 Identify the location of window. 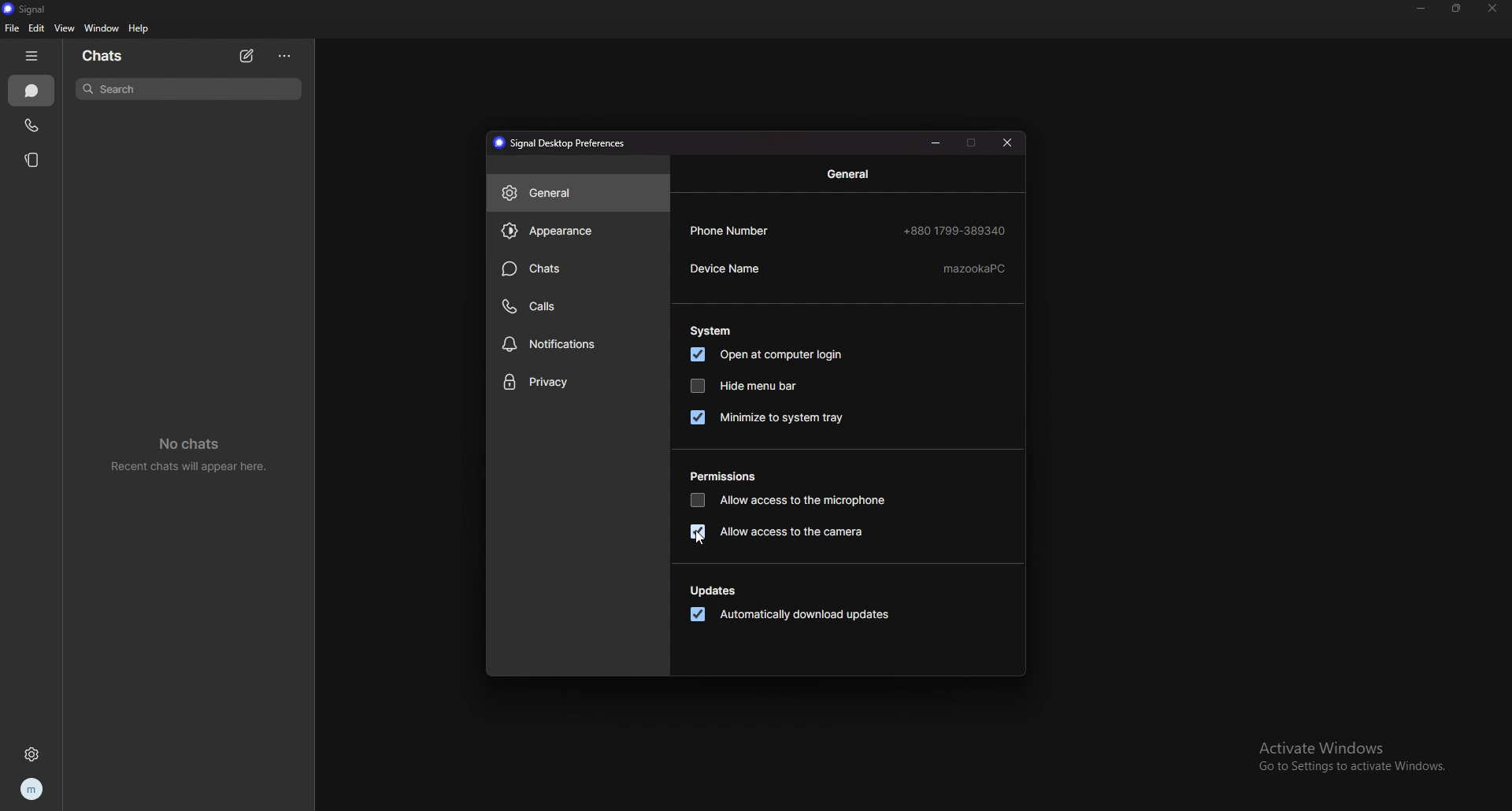
(104, 28).